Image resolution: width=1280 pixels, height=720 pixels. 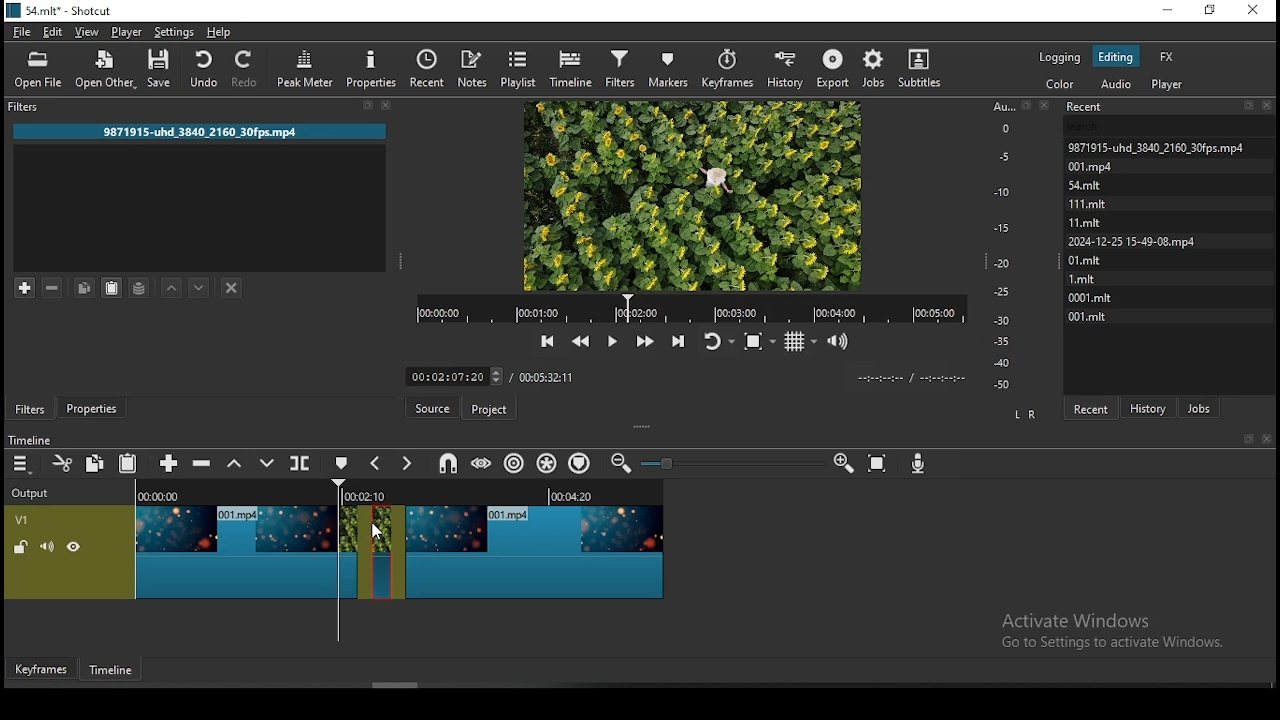 I want to click on Progress bar, so click(x=690, y=308).